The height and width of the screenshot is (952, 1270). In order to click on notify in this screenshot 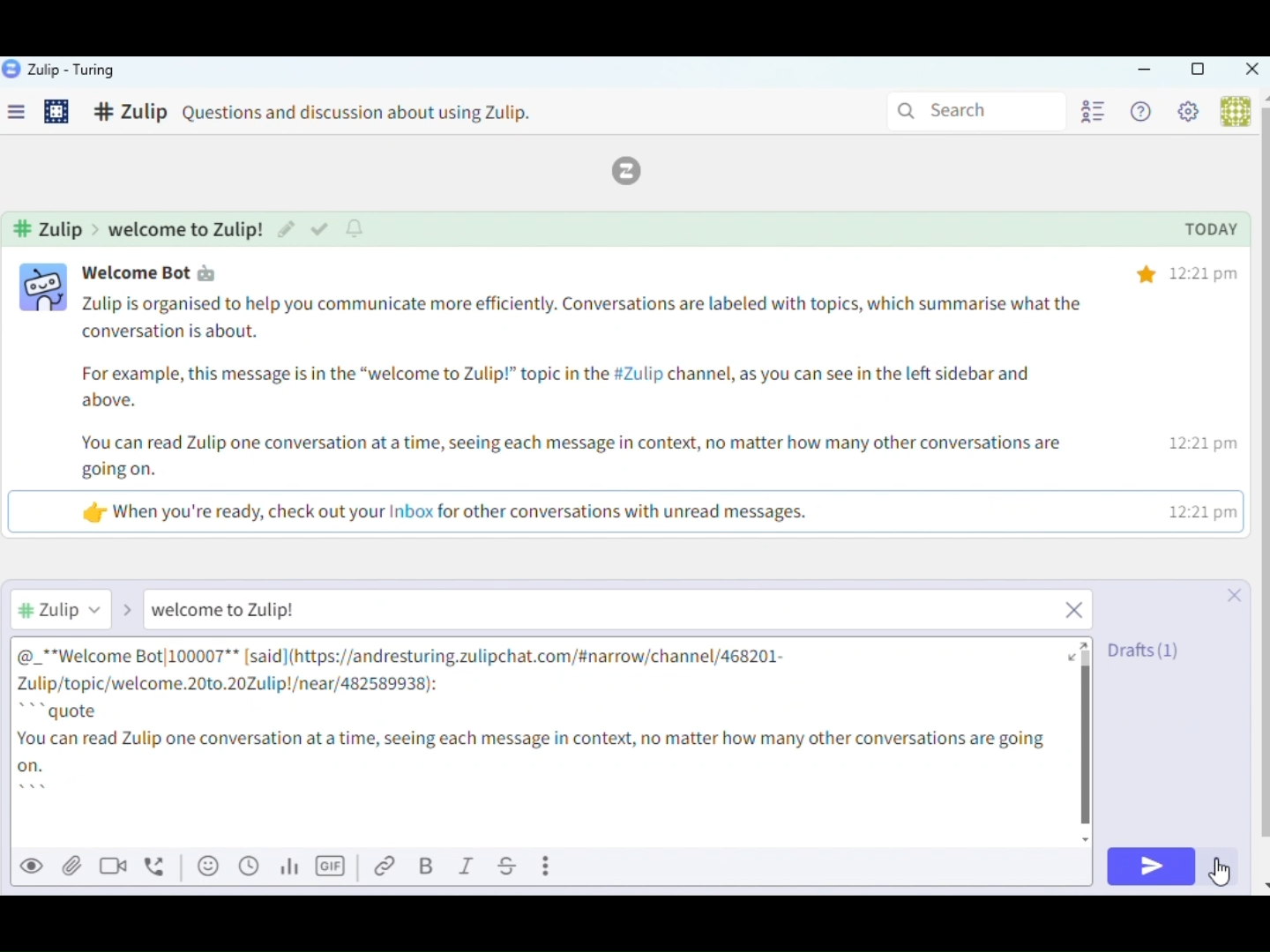, I will do `click(357, 228)`.